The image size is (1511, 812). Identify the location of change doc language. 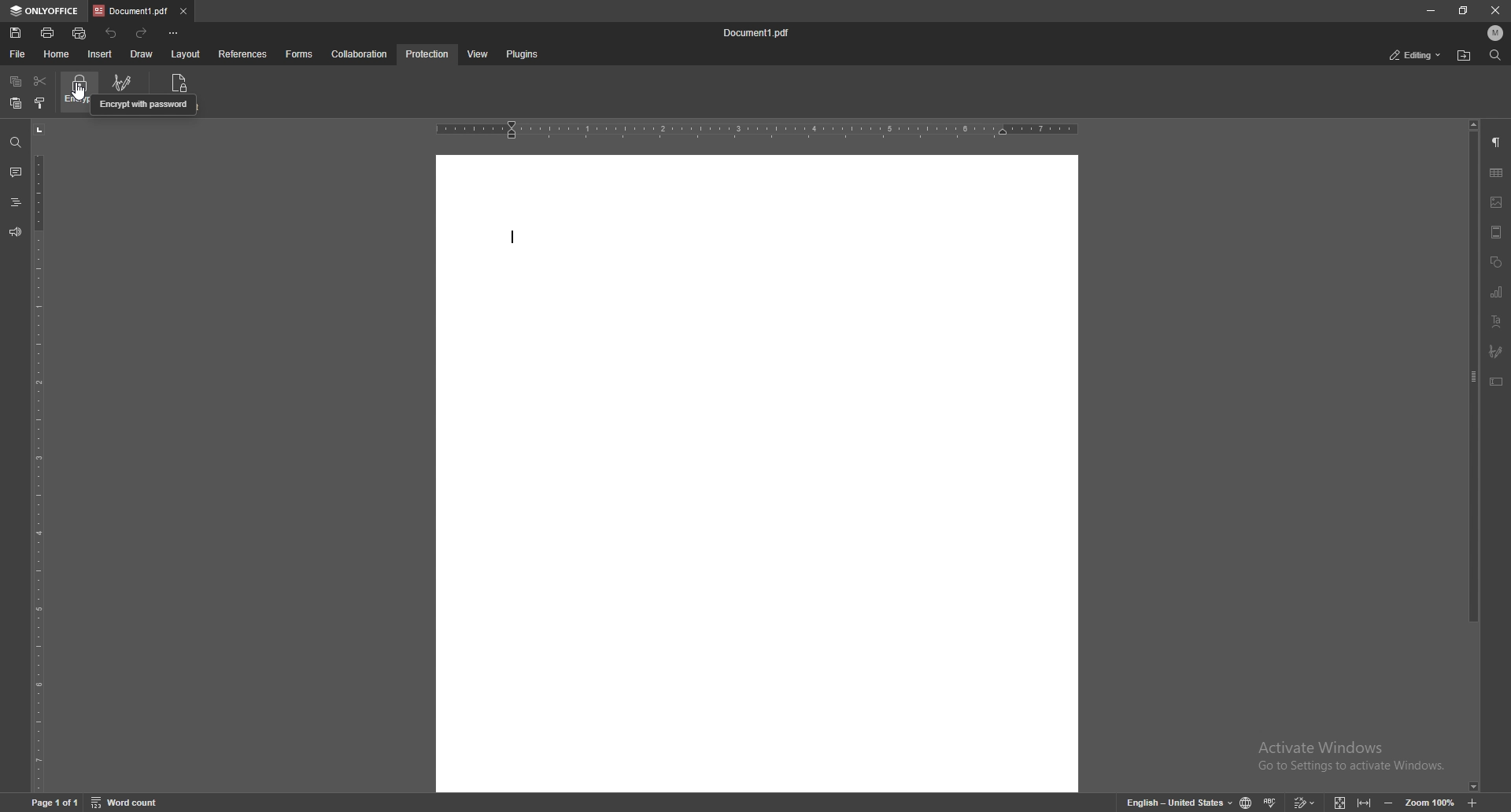
(1247, 802).